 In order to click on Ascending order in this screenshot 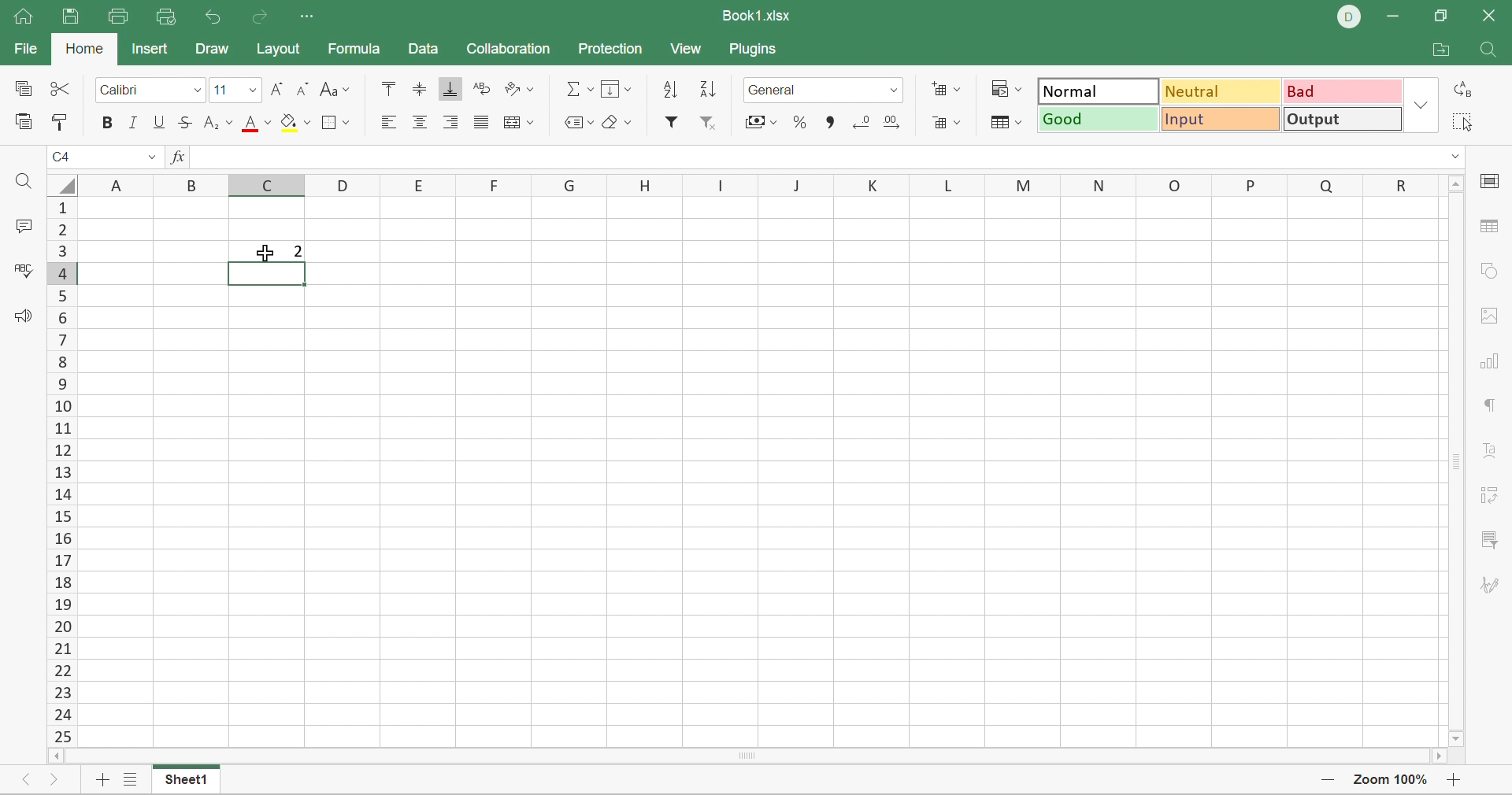, I will do `click(669, 90)`.